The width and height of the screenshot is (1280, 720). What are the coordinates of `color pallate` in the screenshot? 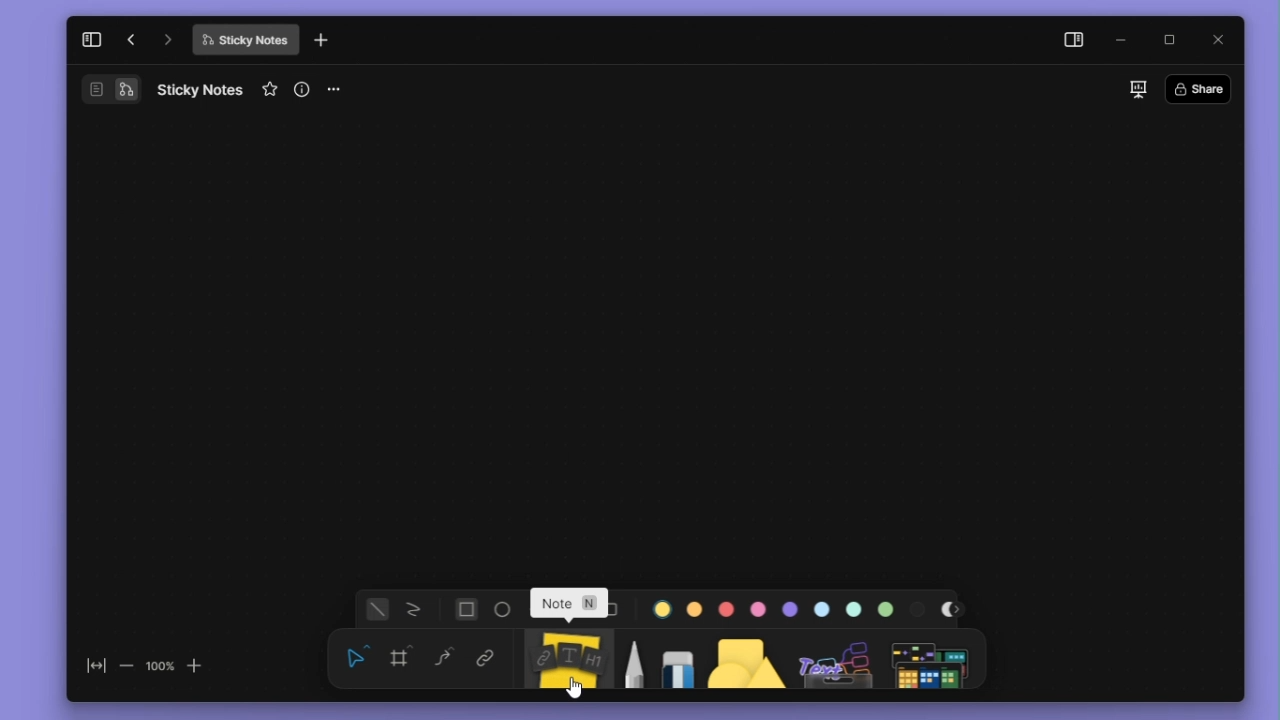 It's located at (788, 610).